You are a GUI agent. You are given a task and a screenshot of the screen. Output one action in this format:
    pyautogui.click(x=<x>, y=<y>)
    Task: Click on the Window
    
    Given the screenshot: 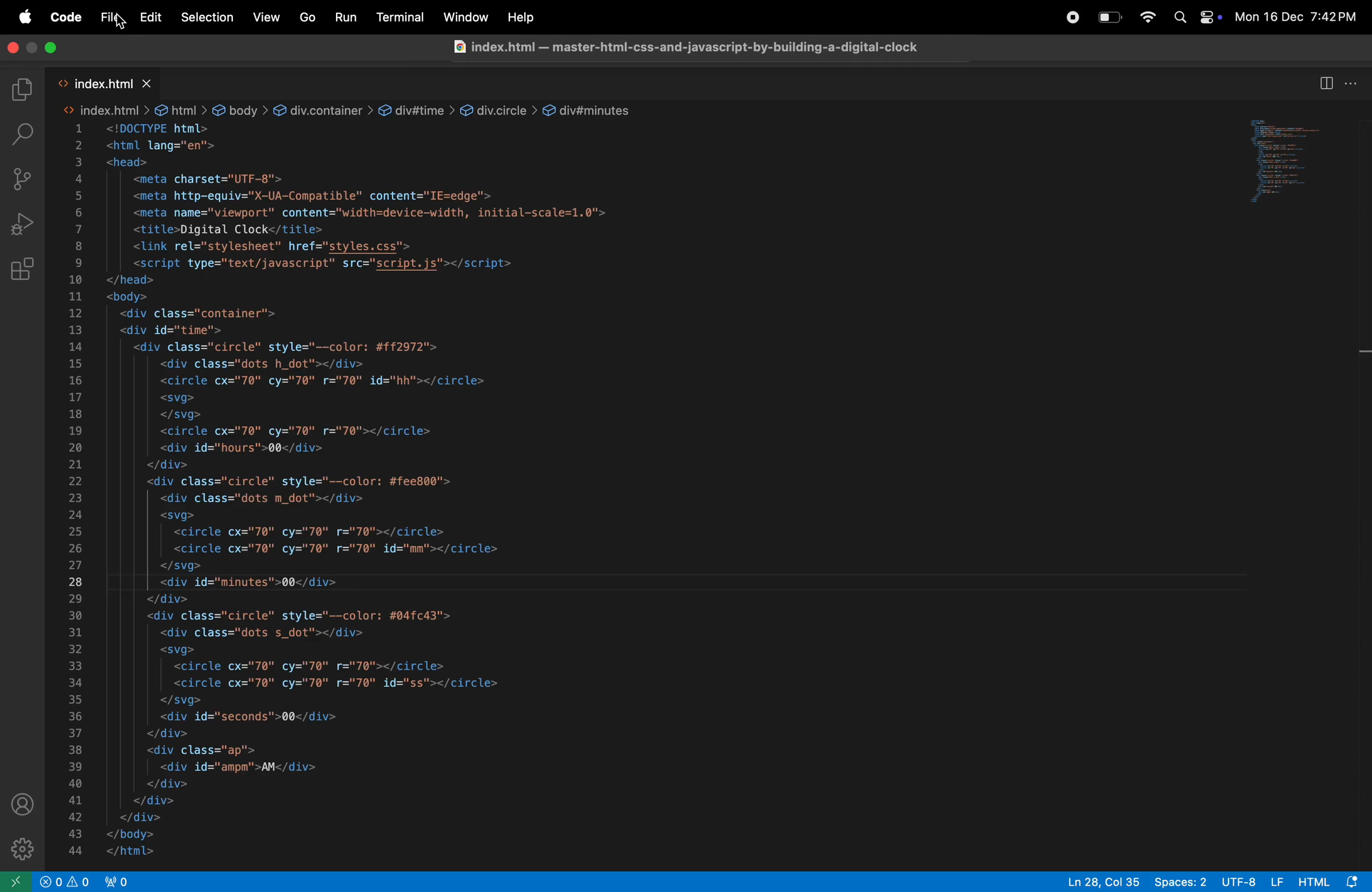 What is the action you would take?
    pyautogui.click(x=465, y=17)
    